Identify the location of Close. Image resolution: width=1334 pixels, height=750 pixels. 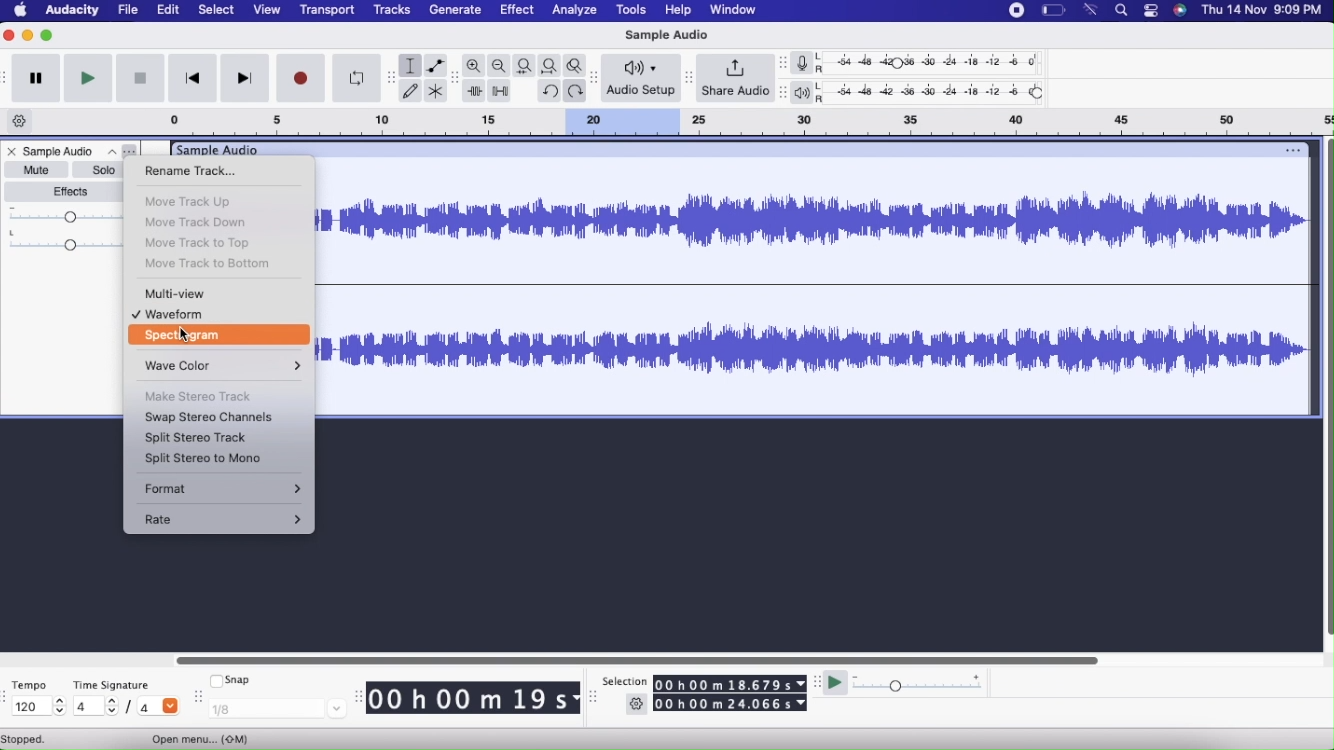
(11, 36).